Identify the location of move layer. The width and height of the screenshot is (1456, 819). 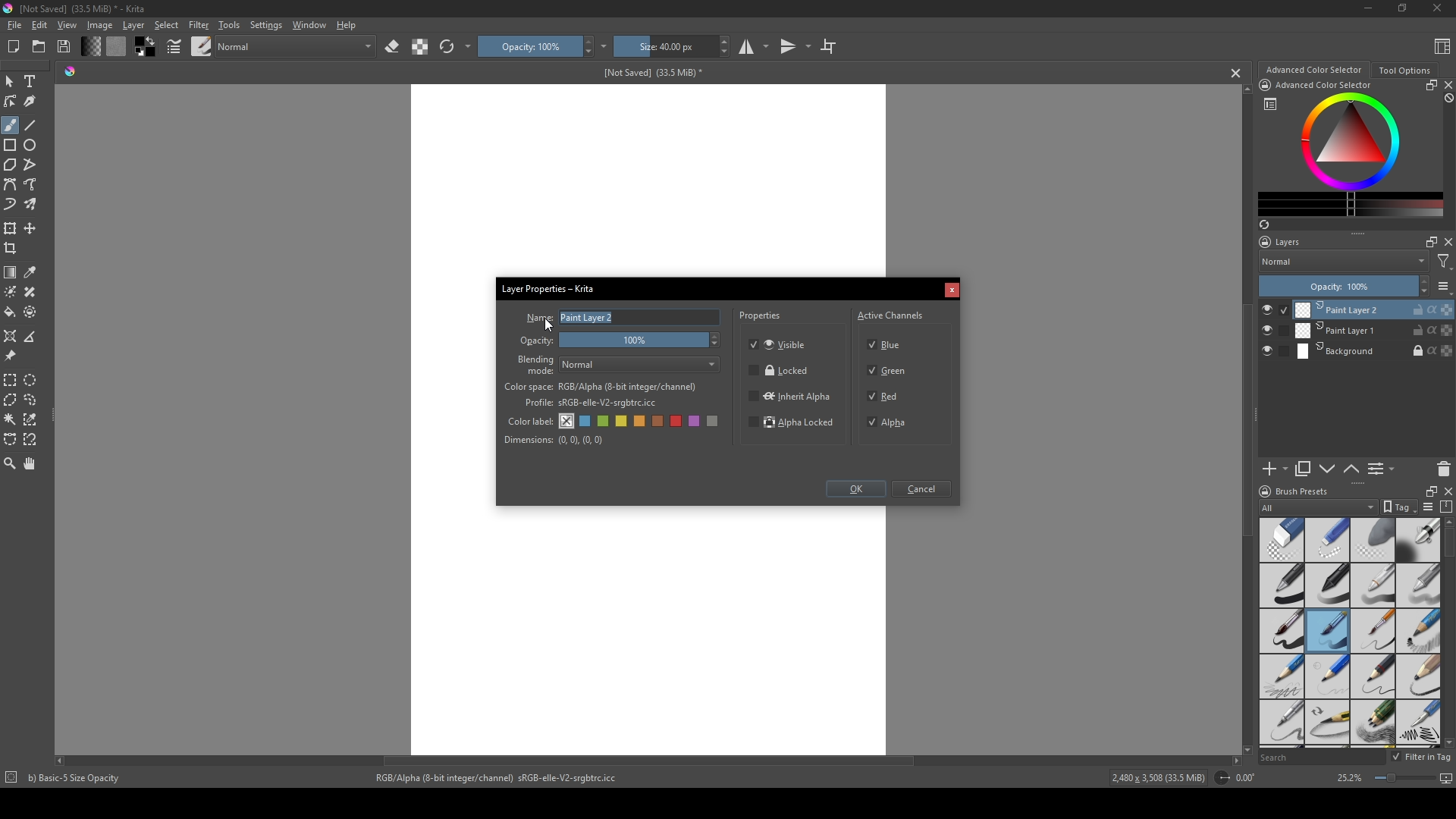
(30, 228).